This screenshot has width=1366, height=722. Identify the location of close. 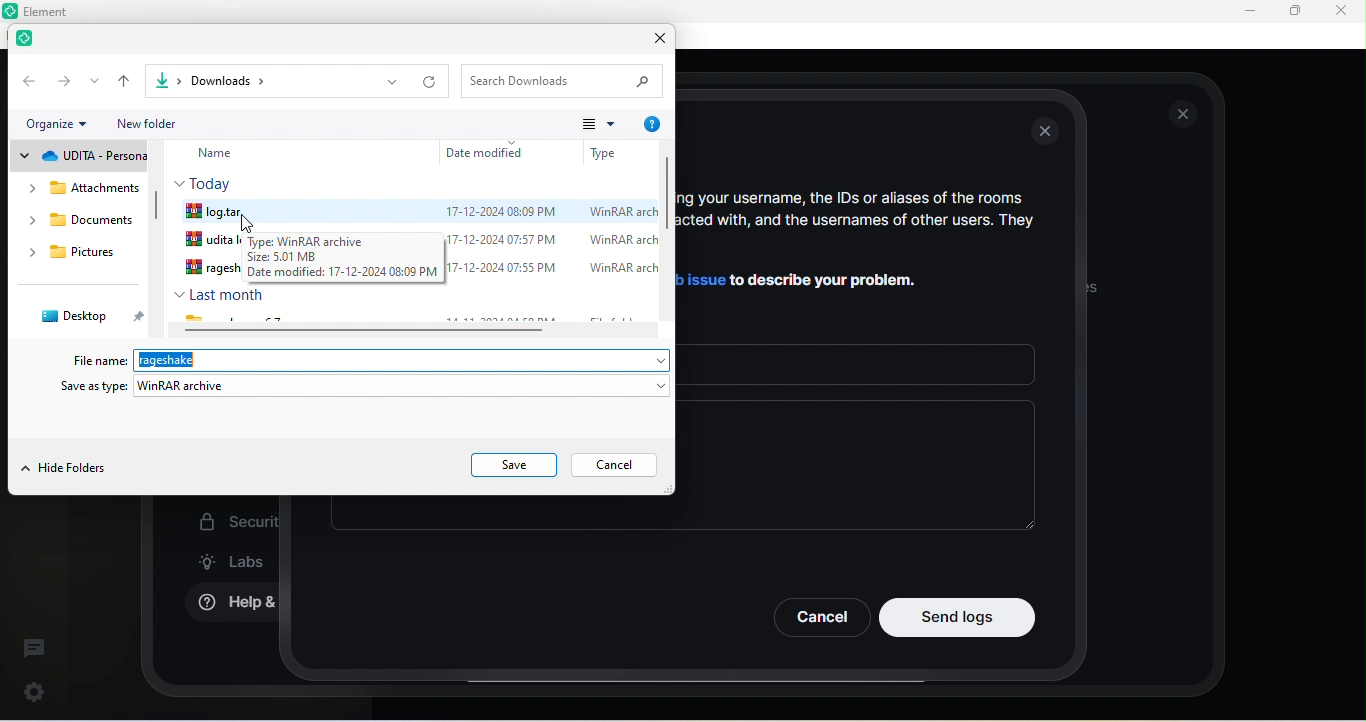
(1184, 114).